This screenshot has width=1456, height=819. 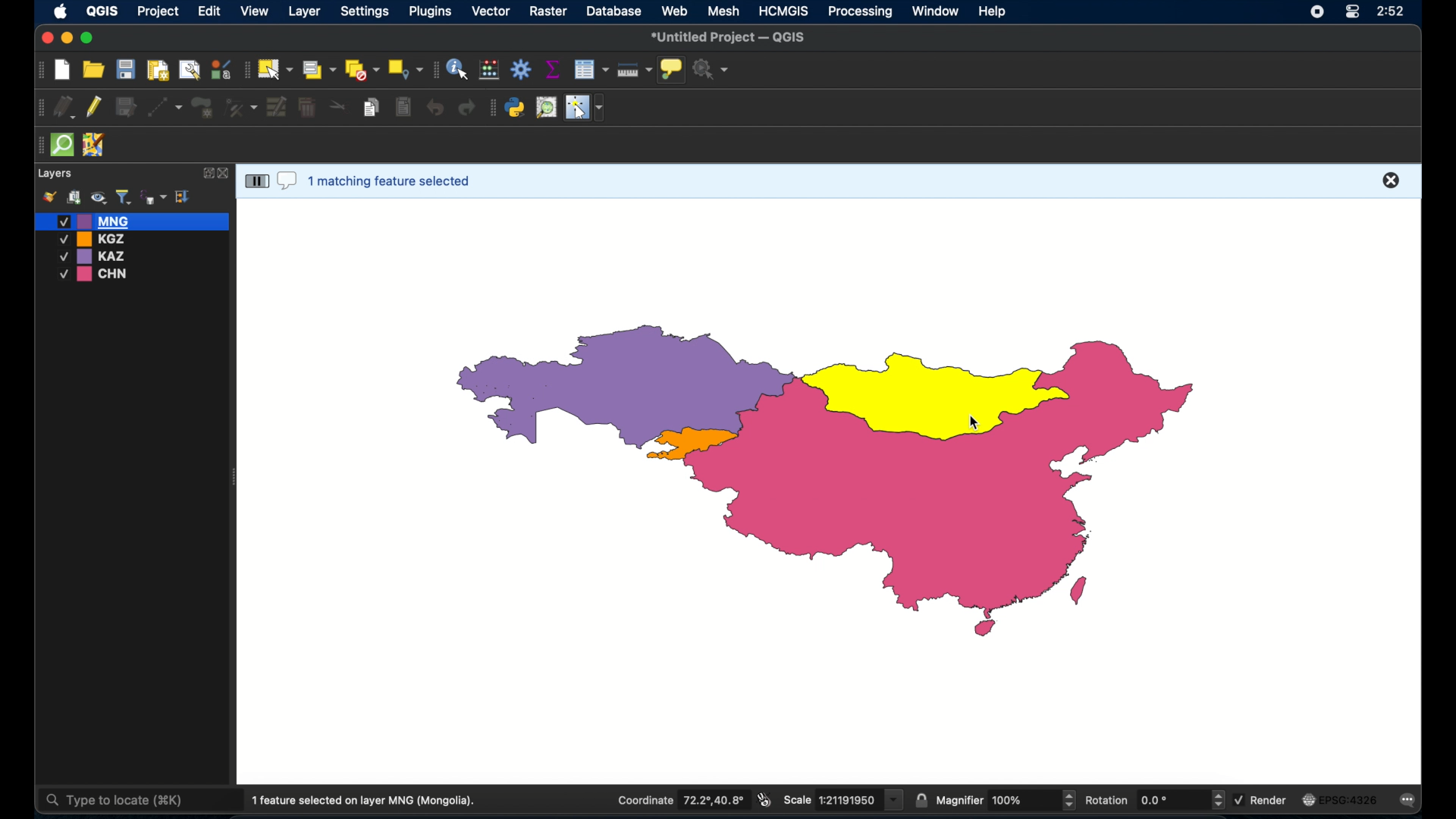 What do you see at coordinates (63, 71) in the screenshot?
I see `new project` at bounding box center [63, 71].